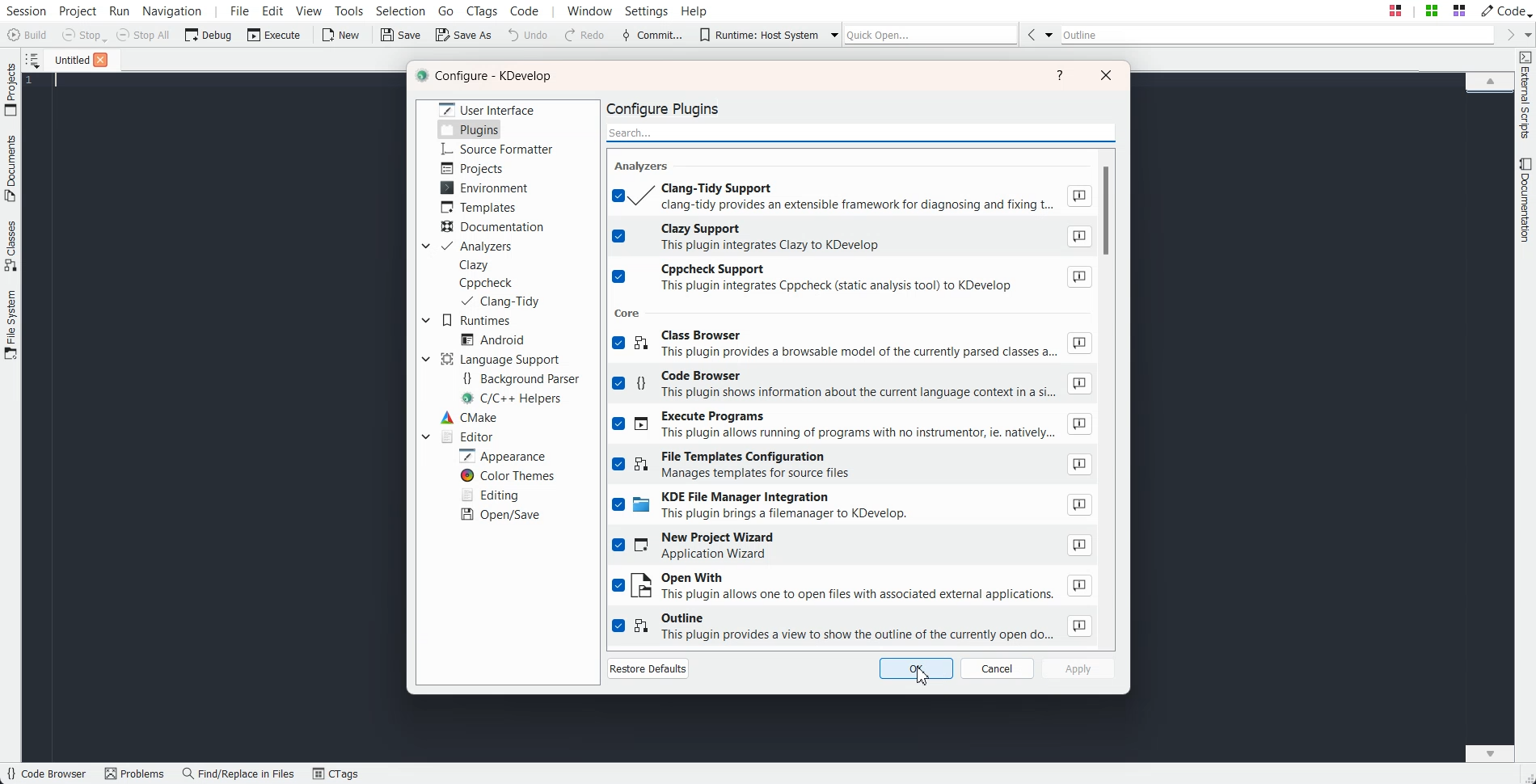 The height and width of the screenshot is (784, 1536). I want to click on Apply, so click(1078, 668).